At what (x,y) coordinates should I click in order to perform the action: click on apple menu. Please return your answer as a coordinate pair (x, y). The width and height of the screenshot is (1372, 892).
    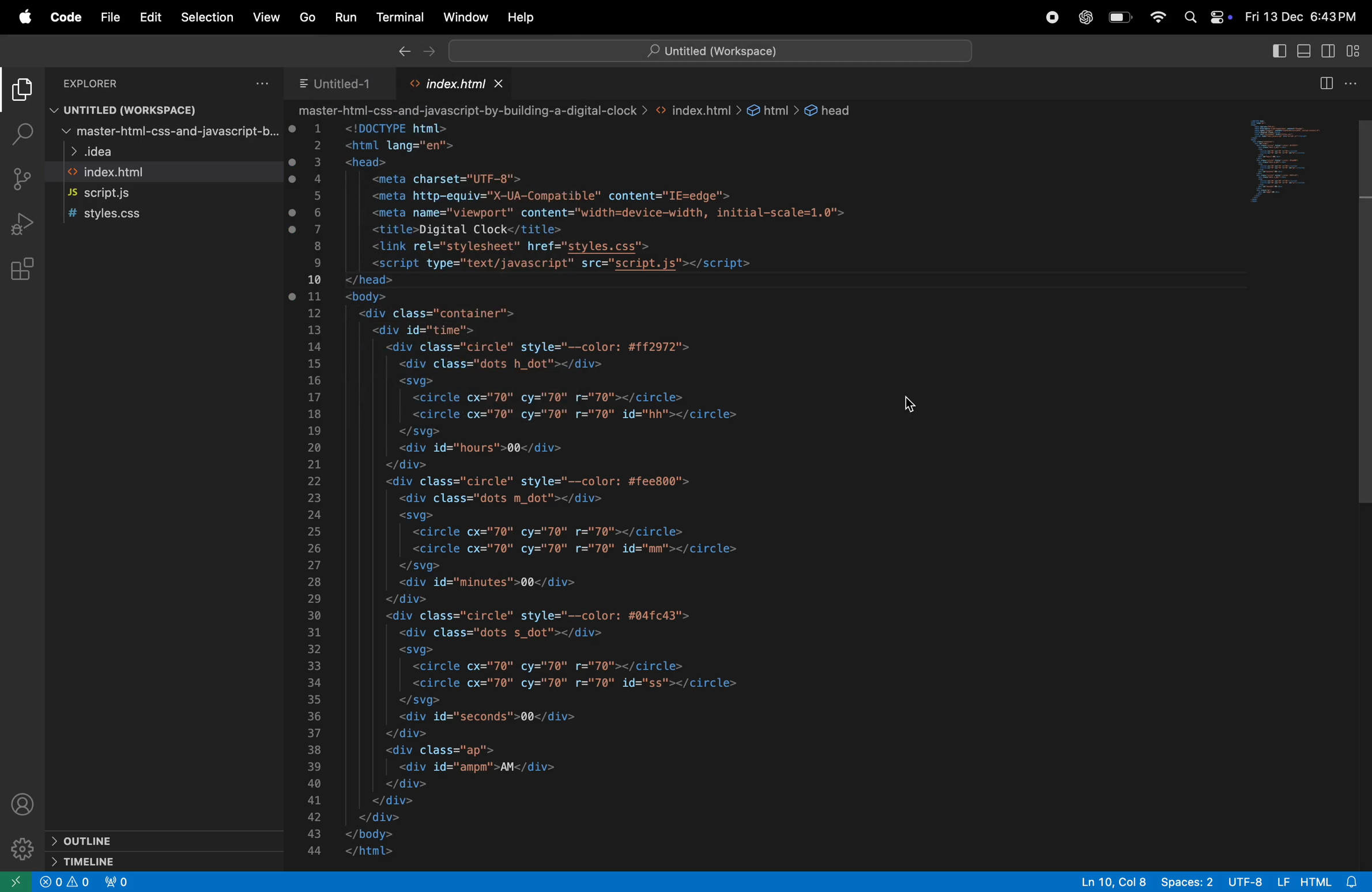
    Looking at the image, I should click on (26, 17).